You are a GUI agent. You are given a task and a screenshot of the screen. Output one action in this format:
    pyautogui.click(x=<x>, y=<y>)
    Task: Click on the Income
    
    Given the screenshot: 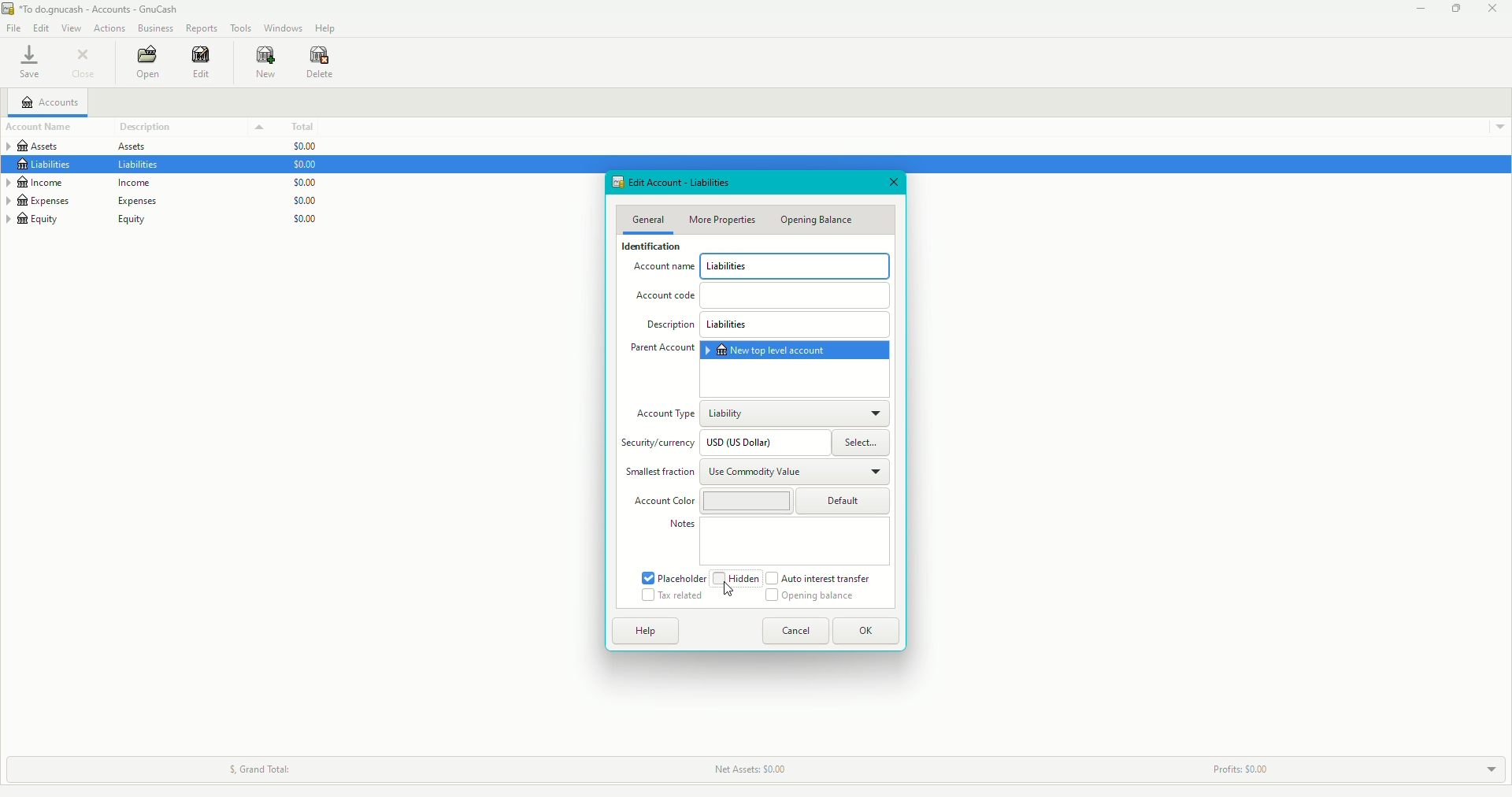 What is the action you would take?
    pyautogui.click(x=78, y=183)
    